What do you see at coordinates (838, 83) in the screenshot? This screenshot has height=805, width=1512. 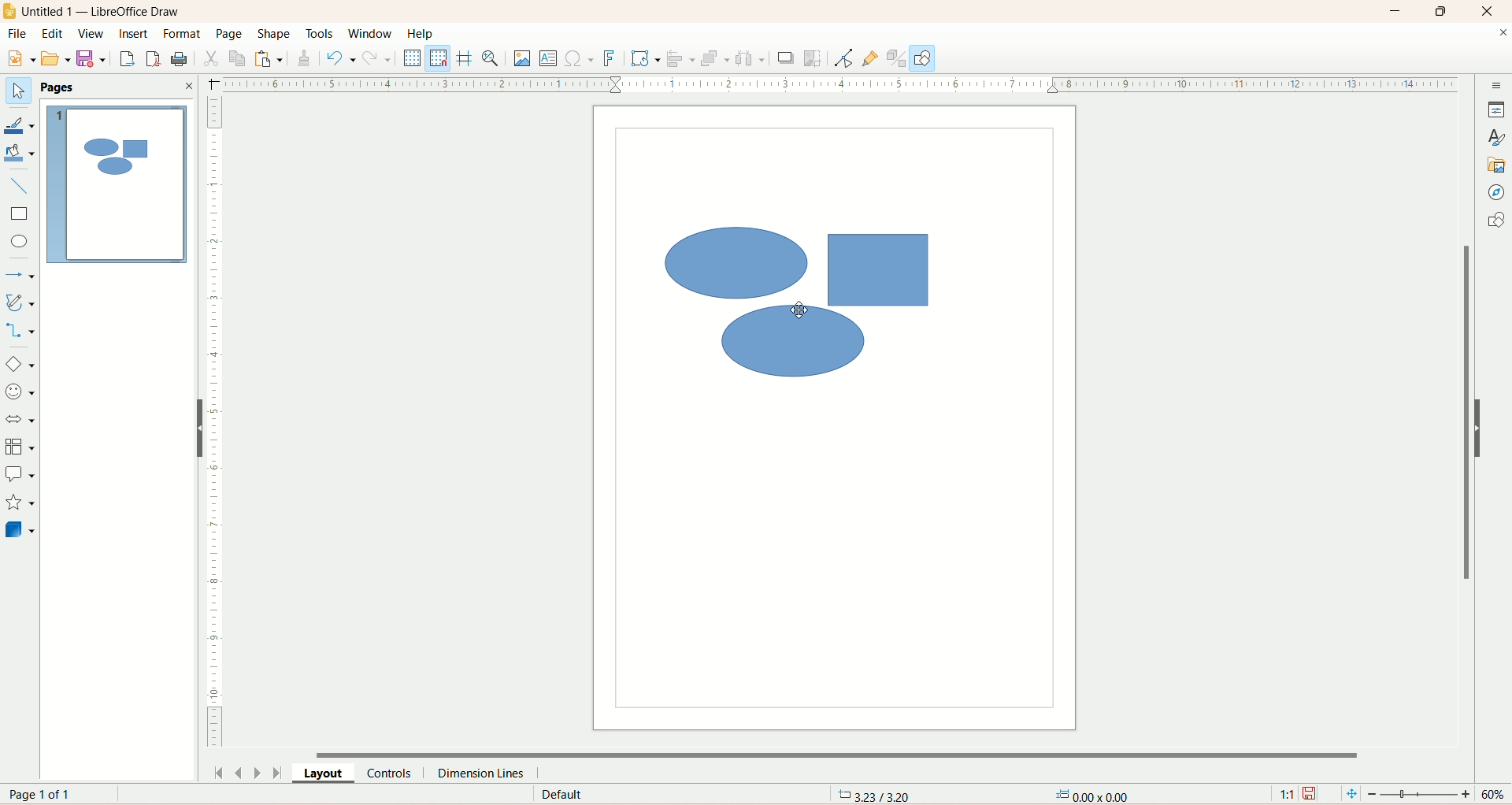 I see `scale bar` at bounding box center [838, 83].